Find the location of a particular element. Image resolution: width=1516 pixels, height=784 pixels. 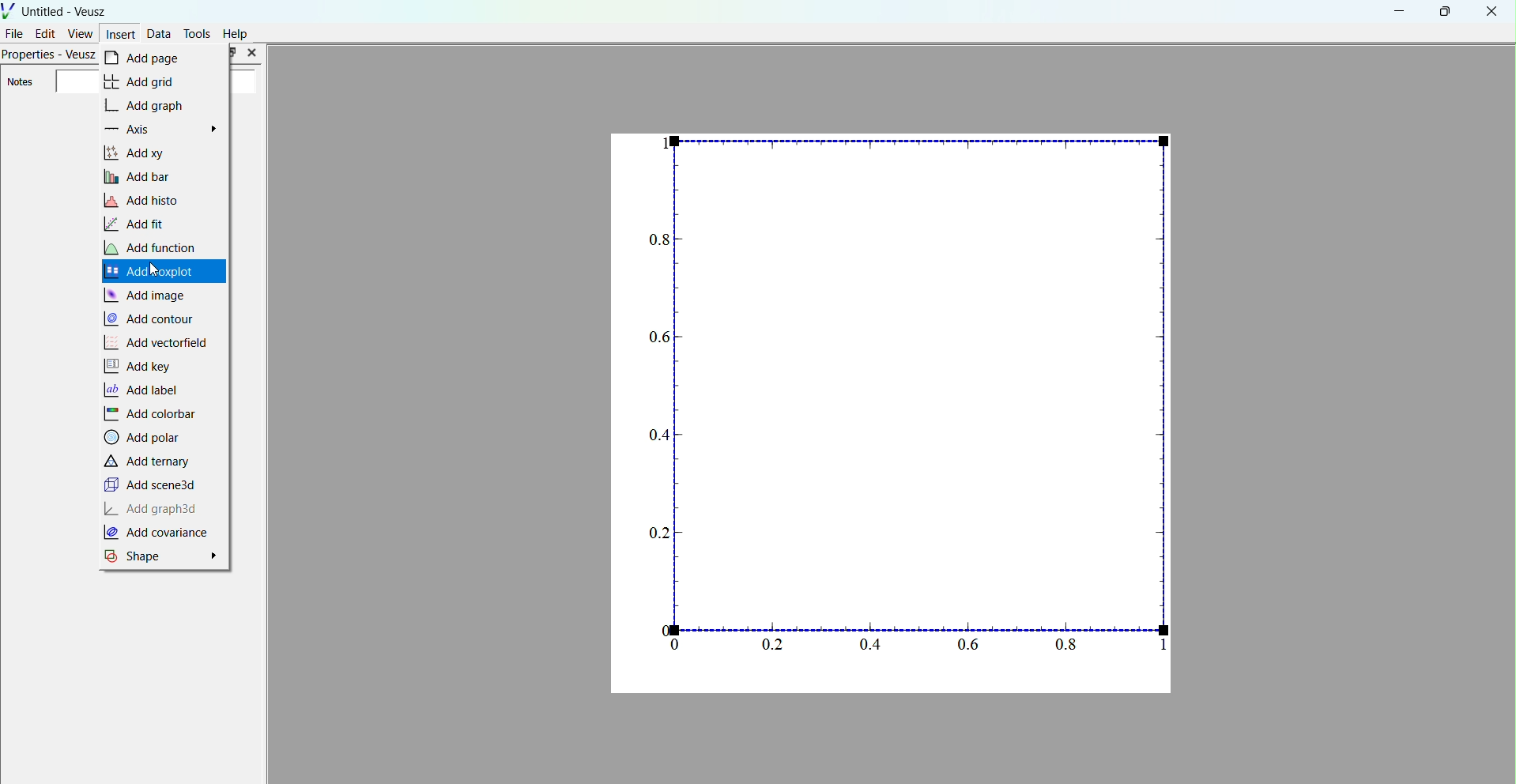

Add graph3d is located at coordinates (152, 508).